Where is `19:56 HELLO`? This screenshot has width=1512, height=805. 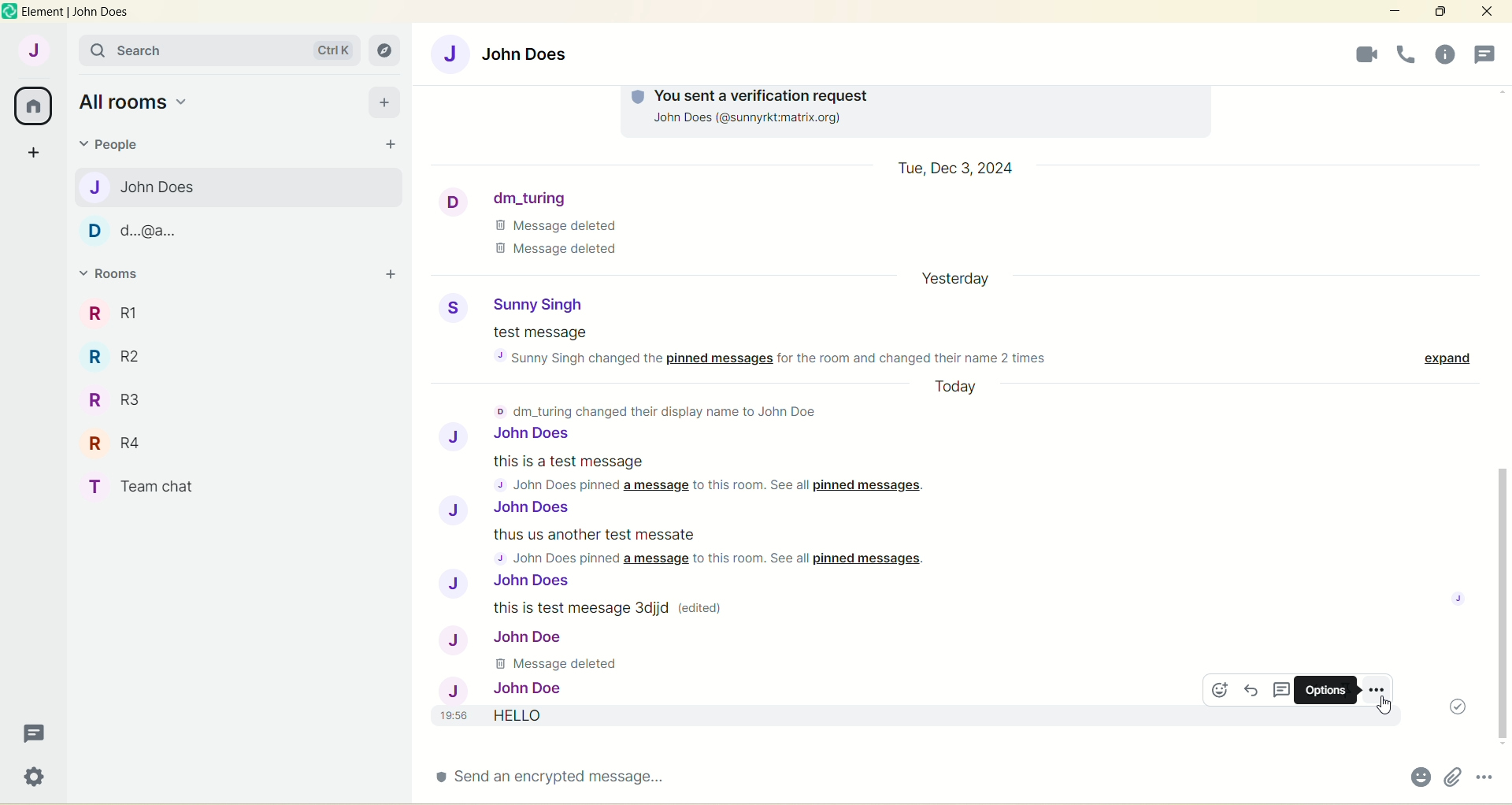 19:56 HELLO is located at coordinates (534, 717).